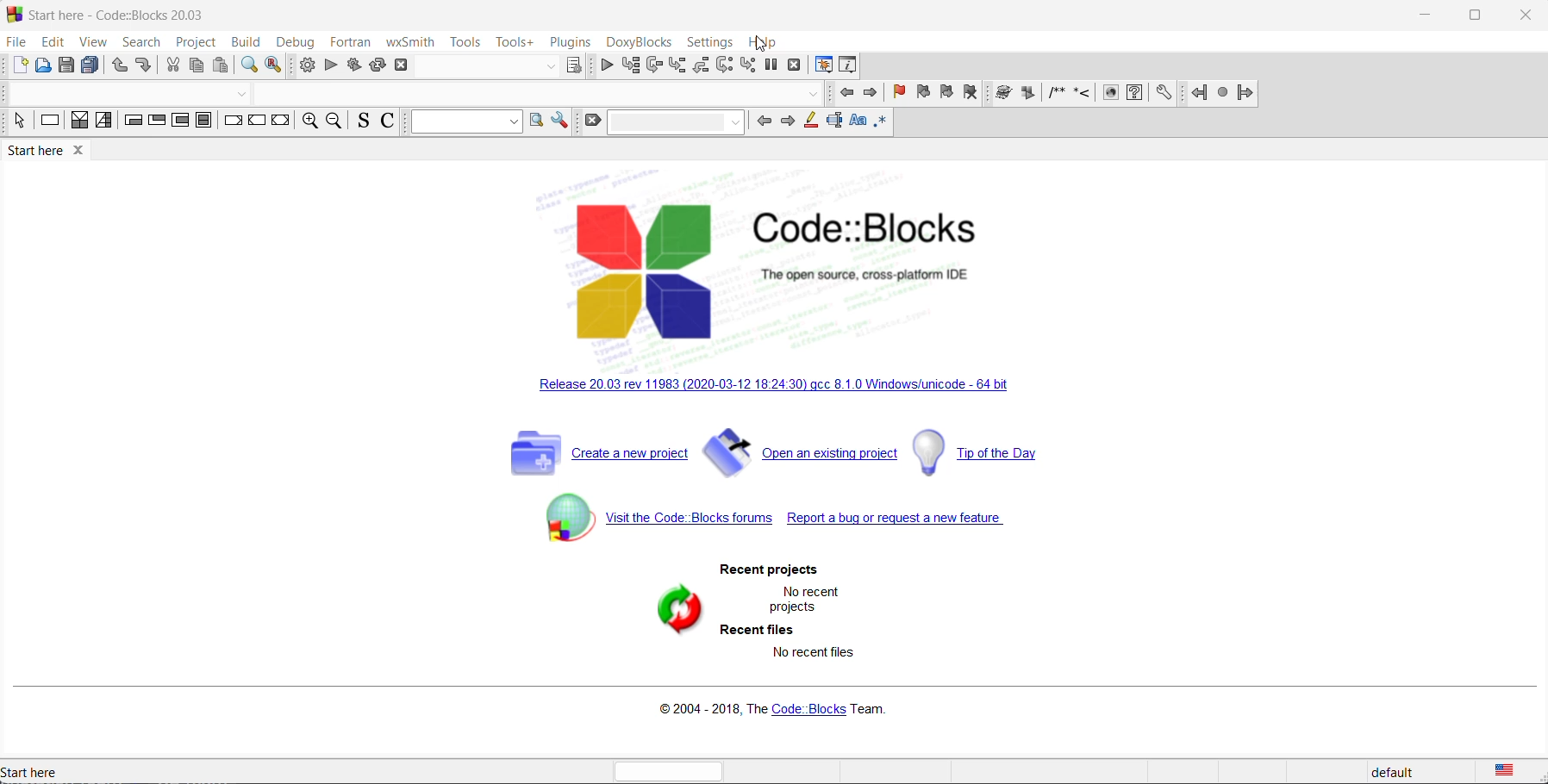  What do you see at coordinates (648, 520) in the screenshot?
I see `code block forum` at bounding box center [648, 520].